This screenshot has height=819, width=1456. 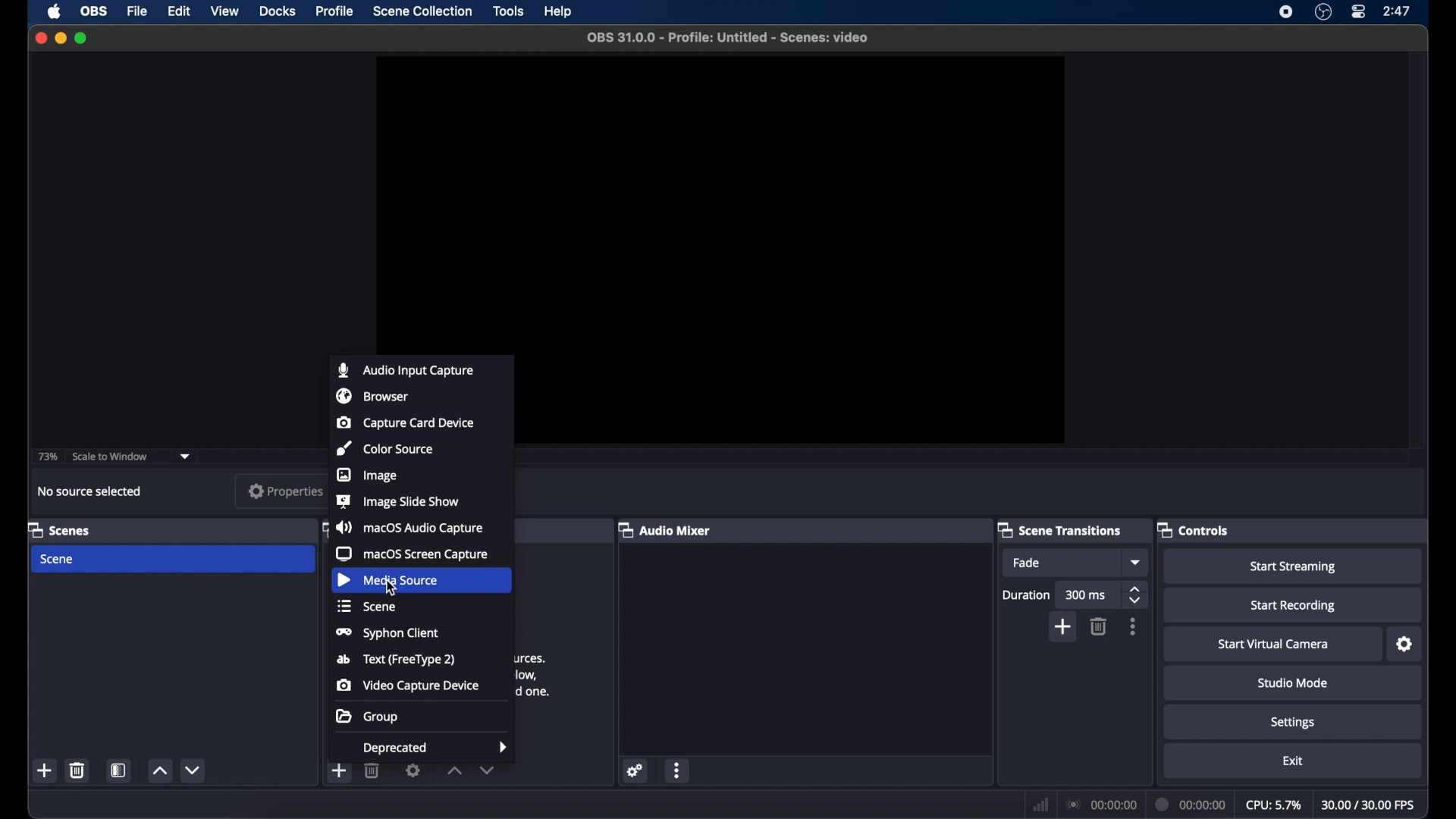 I want to click on video capture device, so click(x=409, y=686).